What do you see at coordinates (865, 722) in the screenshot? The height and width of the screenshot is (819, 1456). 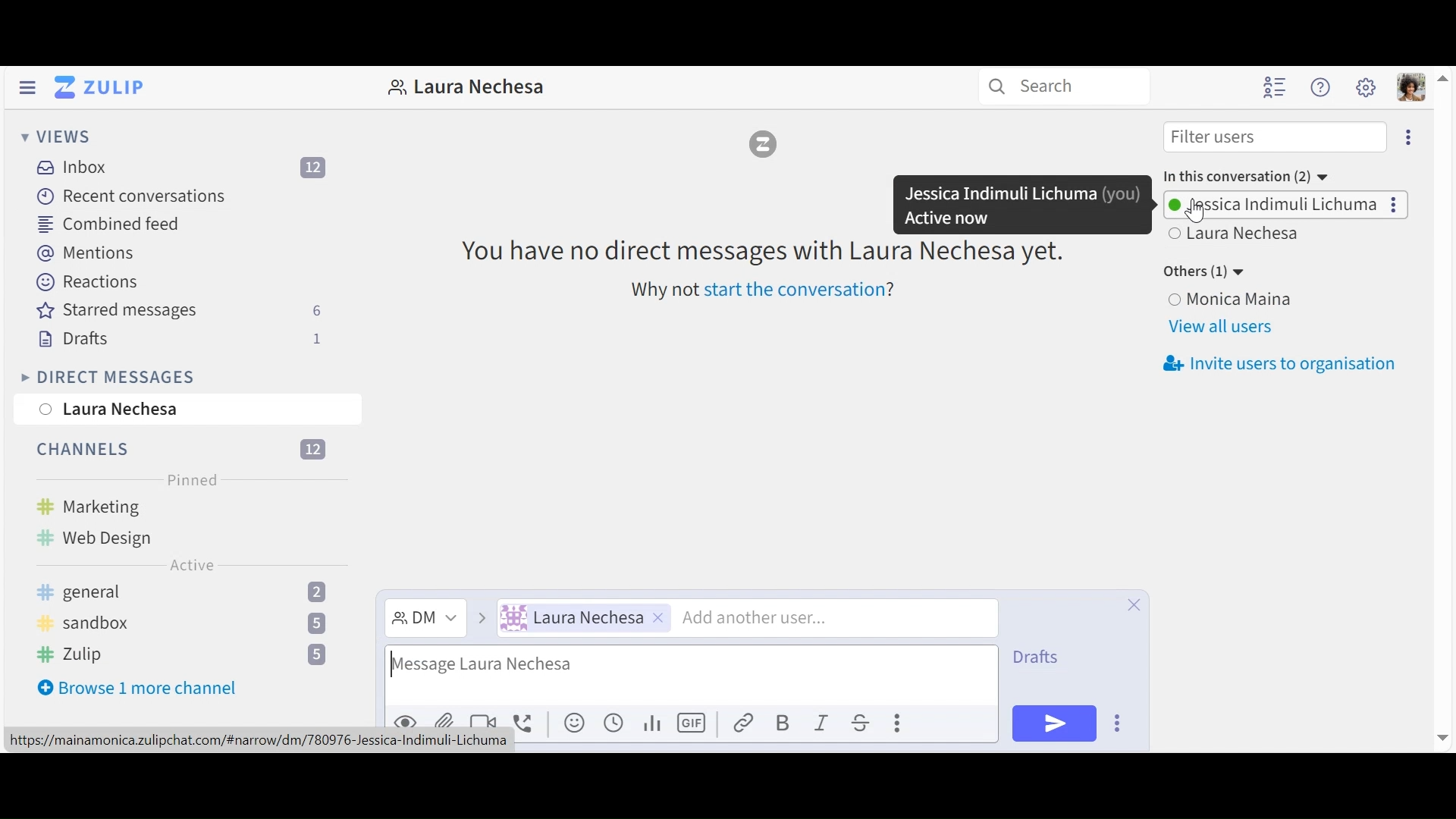 I see `Strikethrough` at bounding box center [865, 722].